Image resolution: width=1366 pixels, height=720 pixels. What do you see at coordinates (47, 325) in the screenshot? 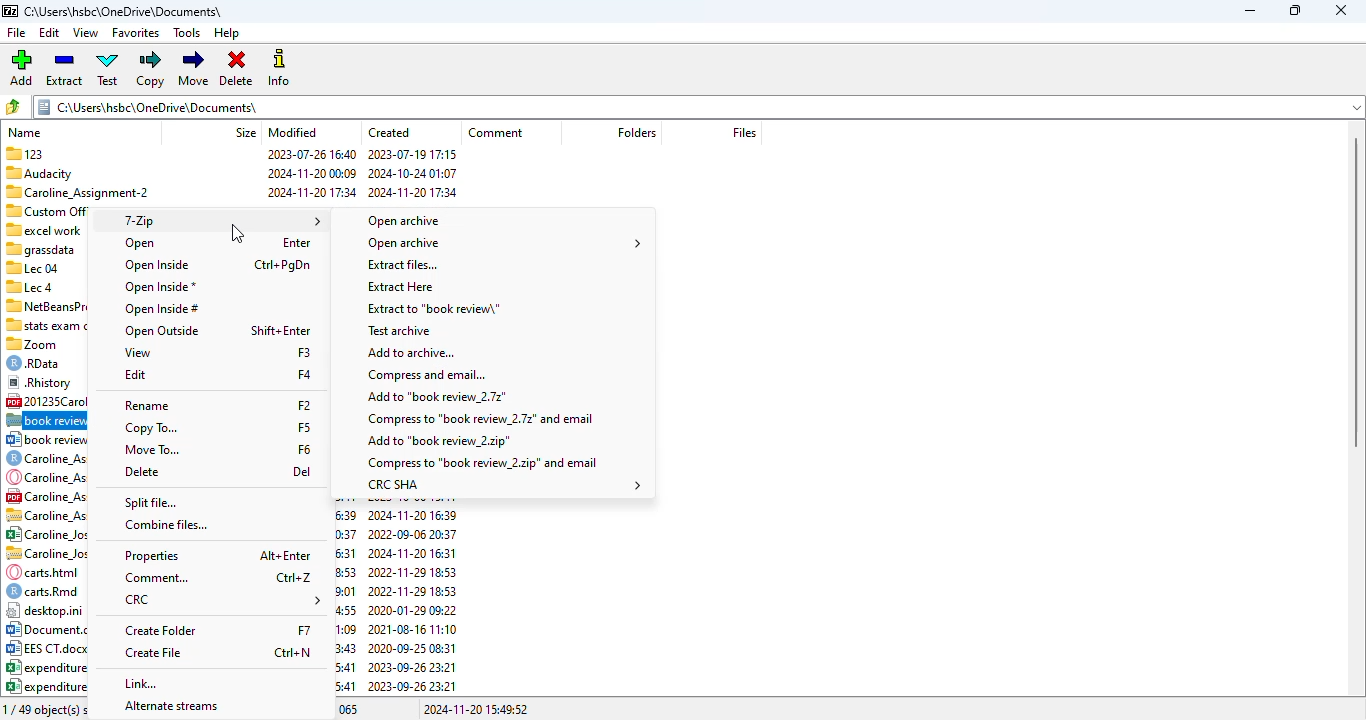
I see `“stats exam caroline` at bounding box center [47, 325].